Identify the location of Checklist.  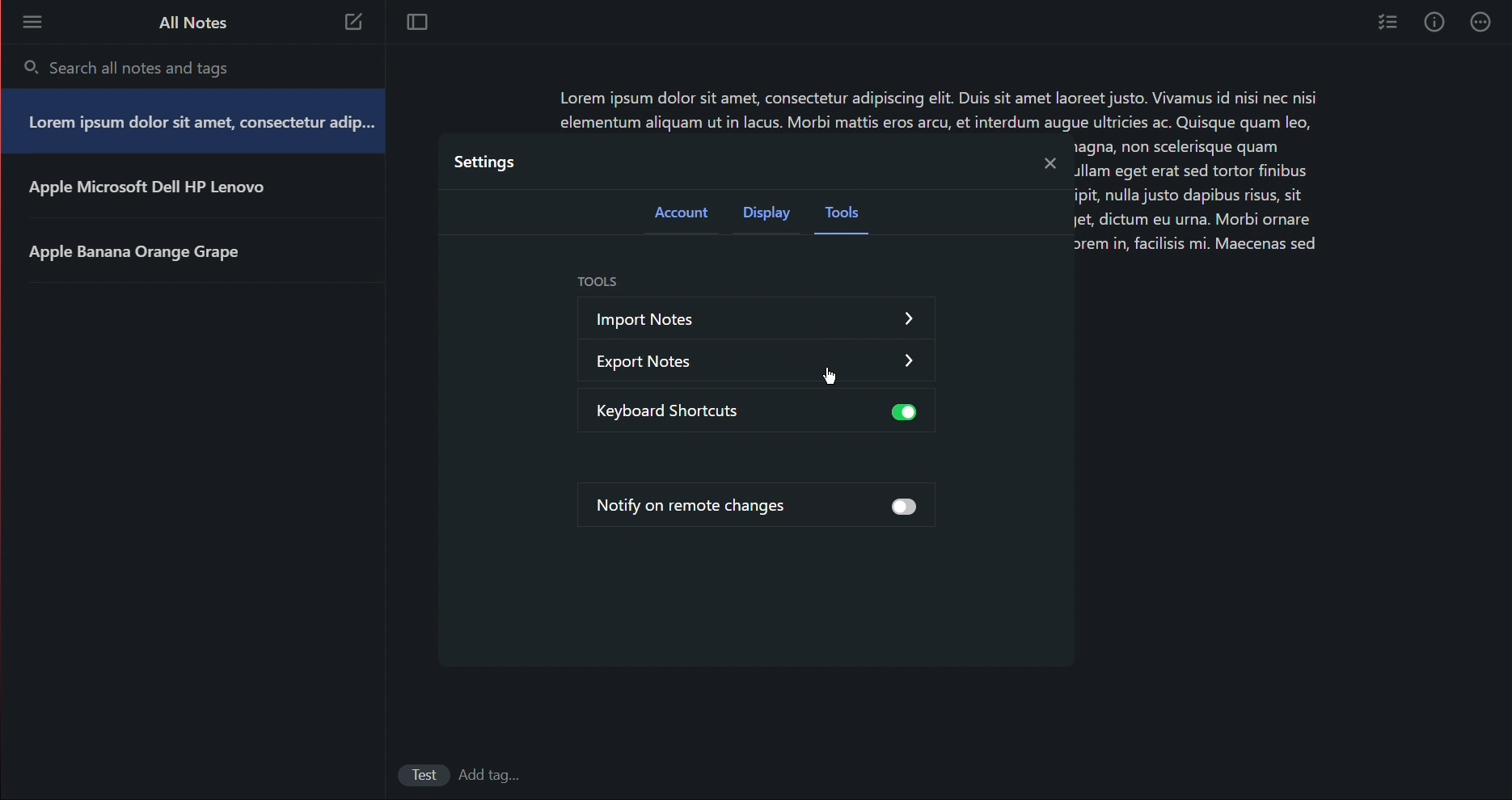
(1386, 23).